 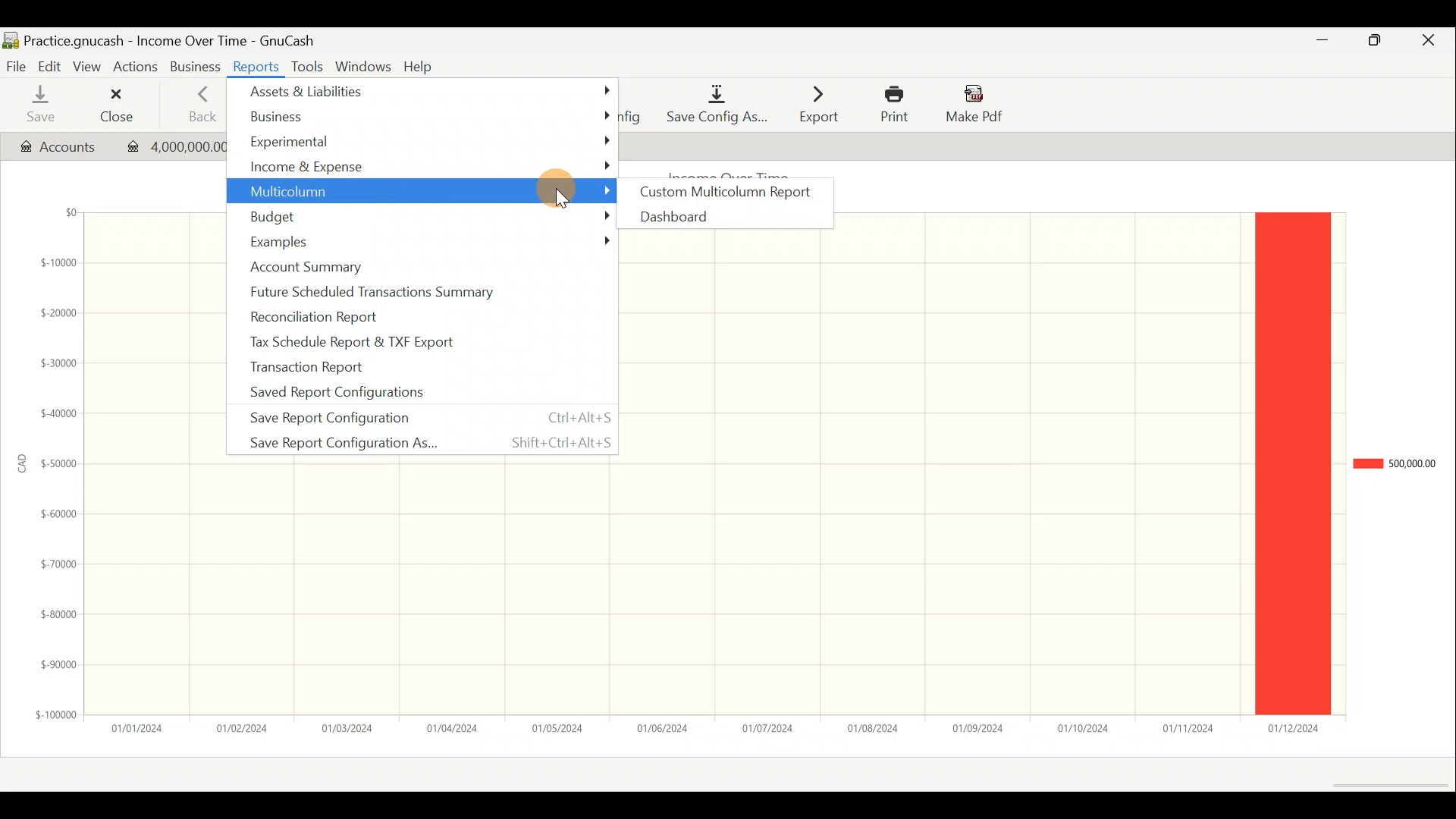 I want to click on y-axis (amount in CAD), so click(x=48, y=465).